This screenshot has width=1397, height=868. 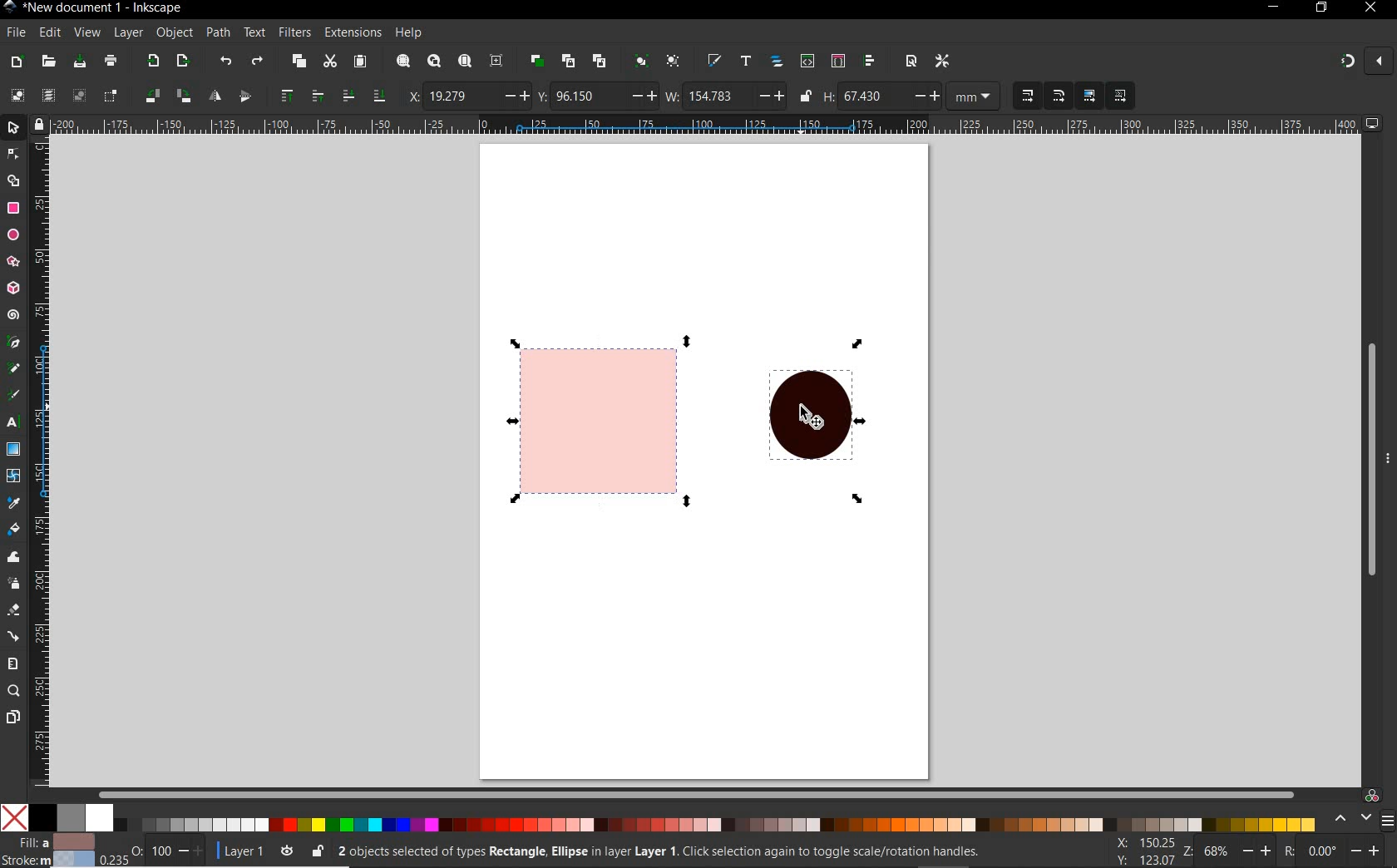 I want to click on xy coordinates, so click(x=1150, y=852).